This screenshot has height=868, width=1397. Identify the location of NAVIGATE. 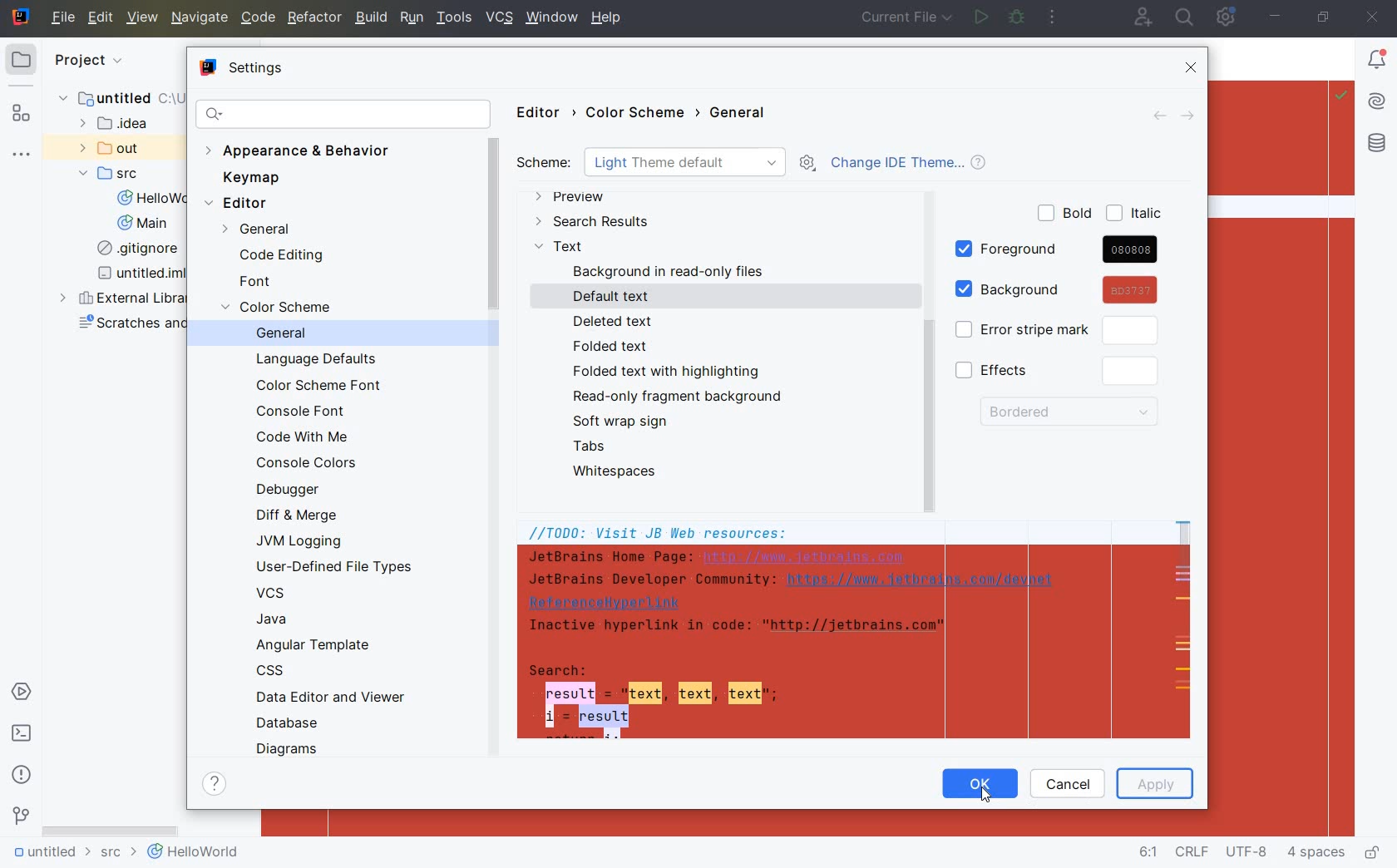
(198, 18).